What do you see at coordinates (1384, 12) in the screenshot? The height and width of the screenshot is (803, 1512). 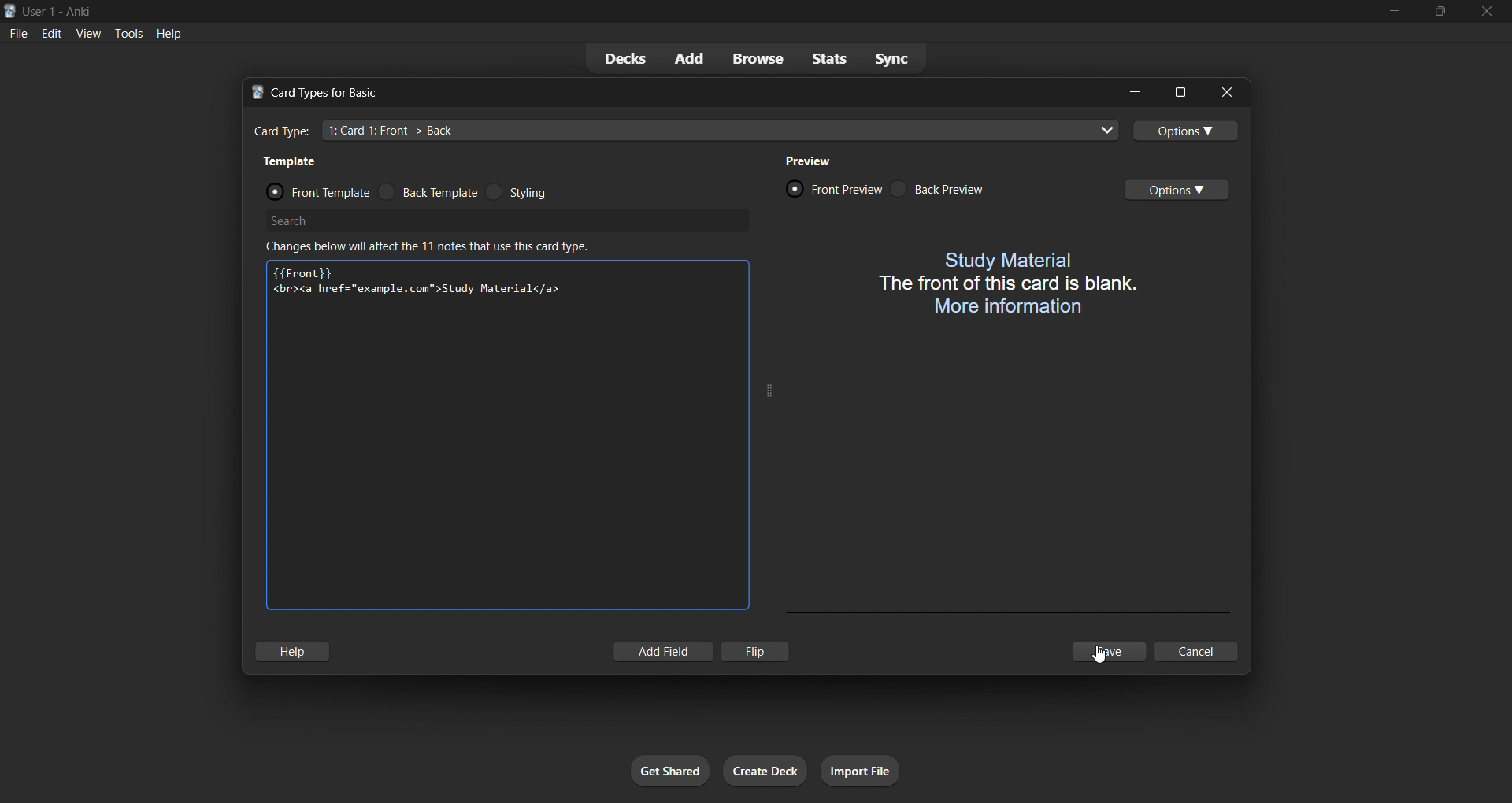 I see `minimize` at bounding box center [1384, 12].